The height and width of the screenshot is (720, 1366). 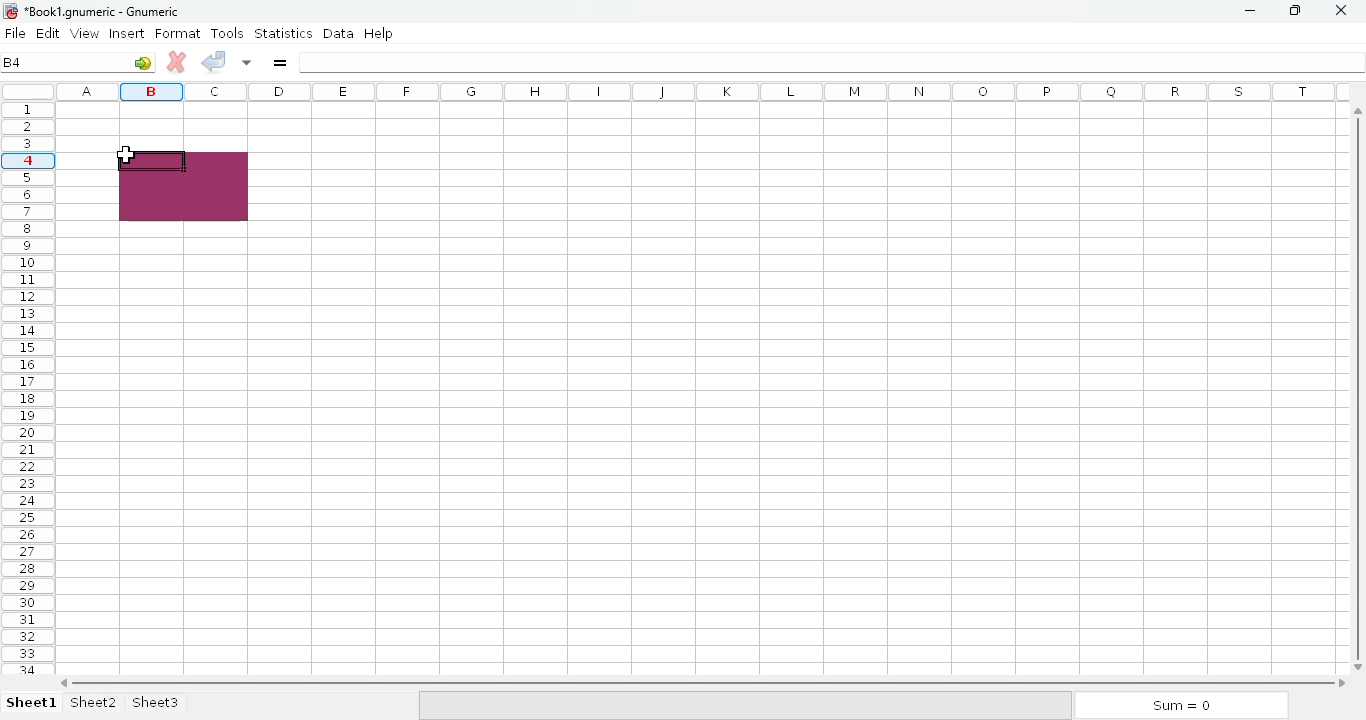 What do you see at coordinates (215, 61) in the screenshot?
I see `accept change` at bounding box center [215, 61].